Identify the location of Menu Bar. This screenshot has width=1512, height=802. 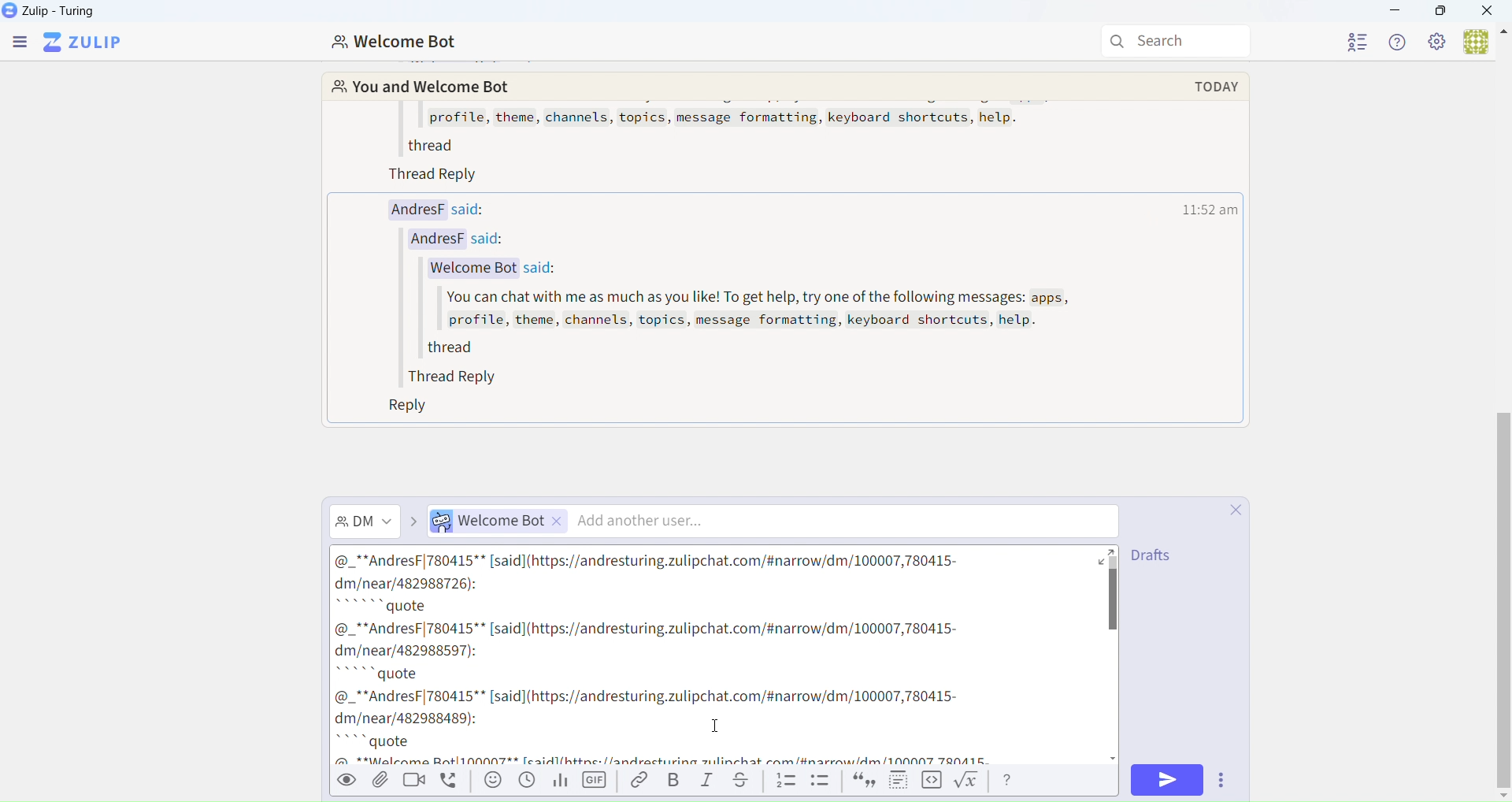
(20, 45).